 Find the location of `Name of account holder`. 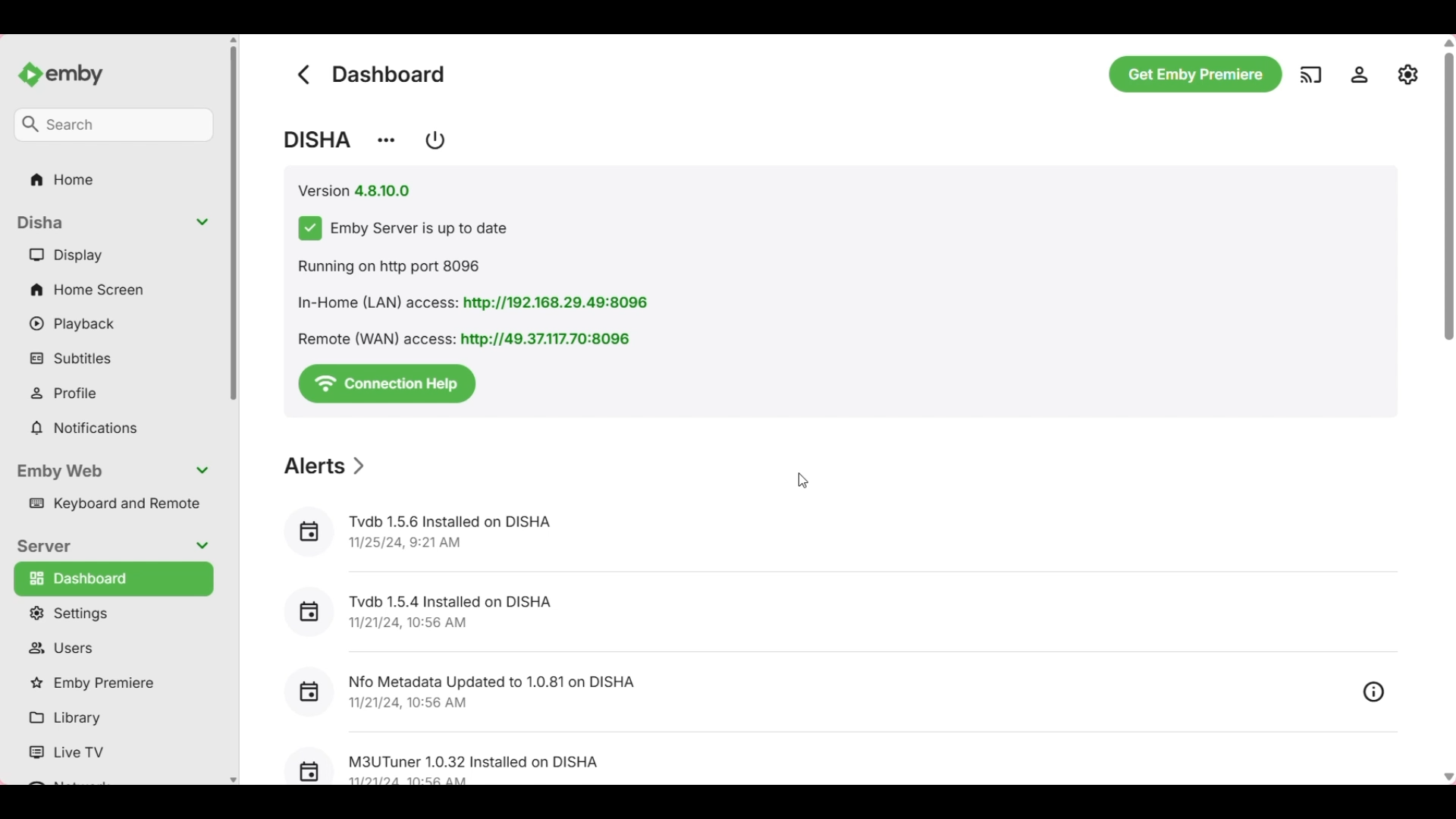

Name of account holder is located at coordinates (318, 140).